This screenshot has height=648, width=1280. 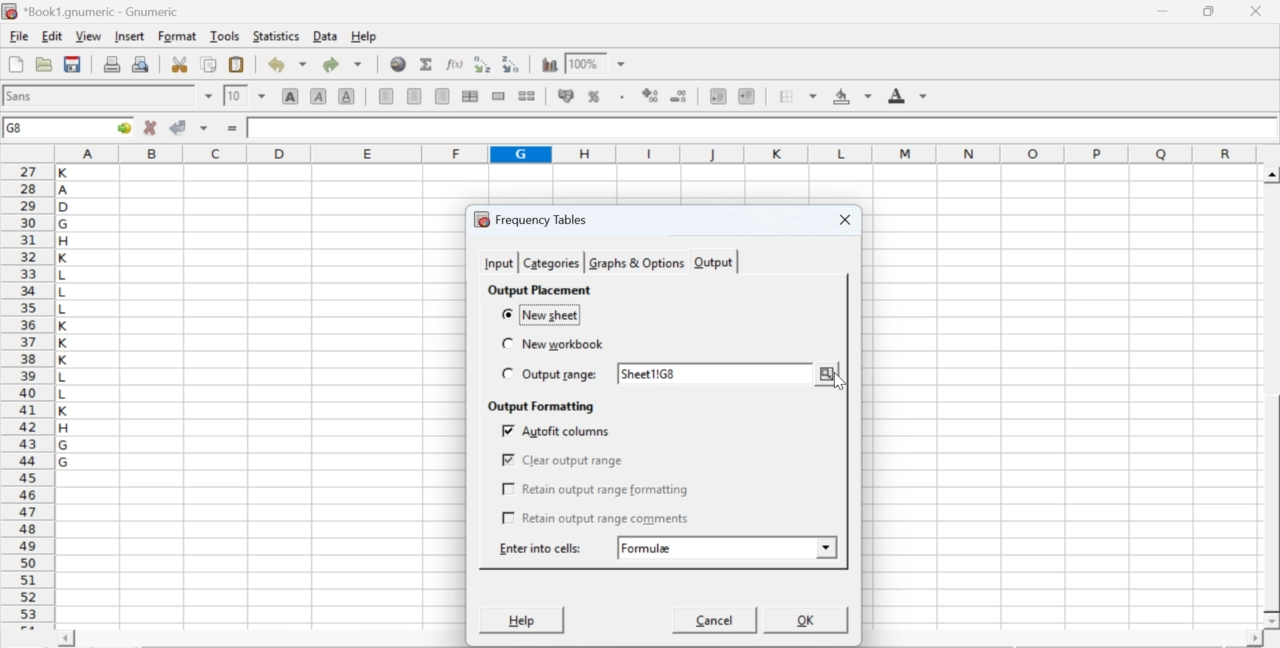 What do you see at coordinates (620, 97) in the screenshot?
I see `Set the format of the selected cells to include a thousands separator` at bounding box center [620, 97].